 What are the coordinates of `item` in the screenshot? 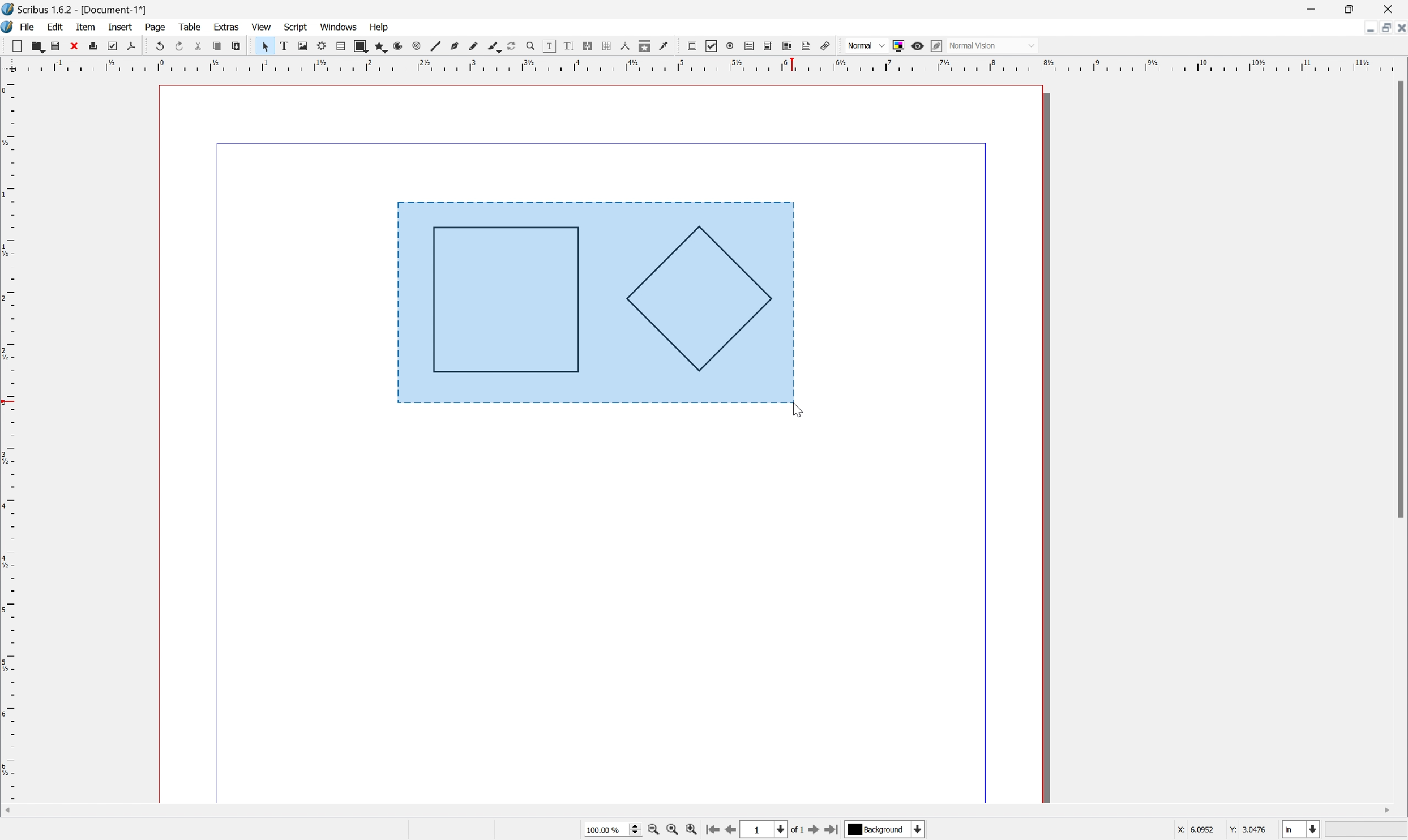 It's located at (87, 27).